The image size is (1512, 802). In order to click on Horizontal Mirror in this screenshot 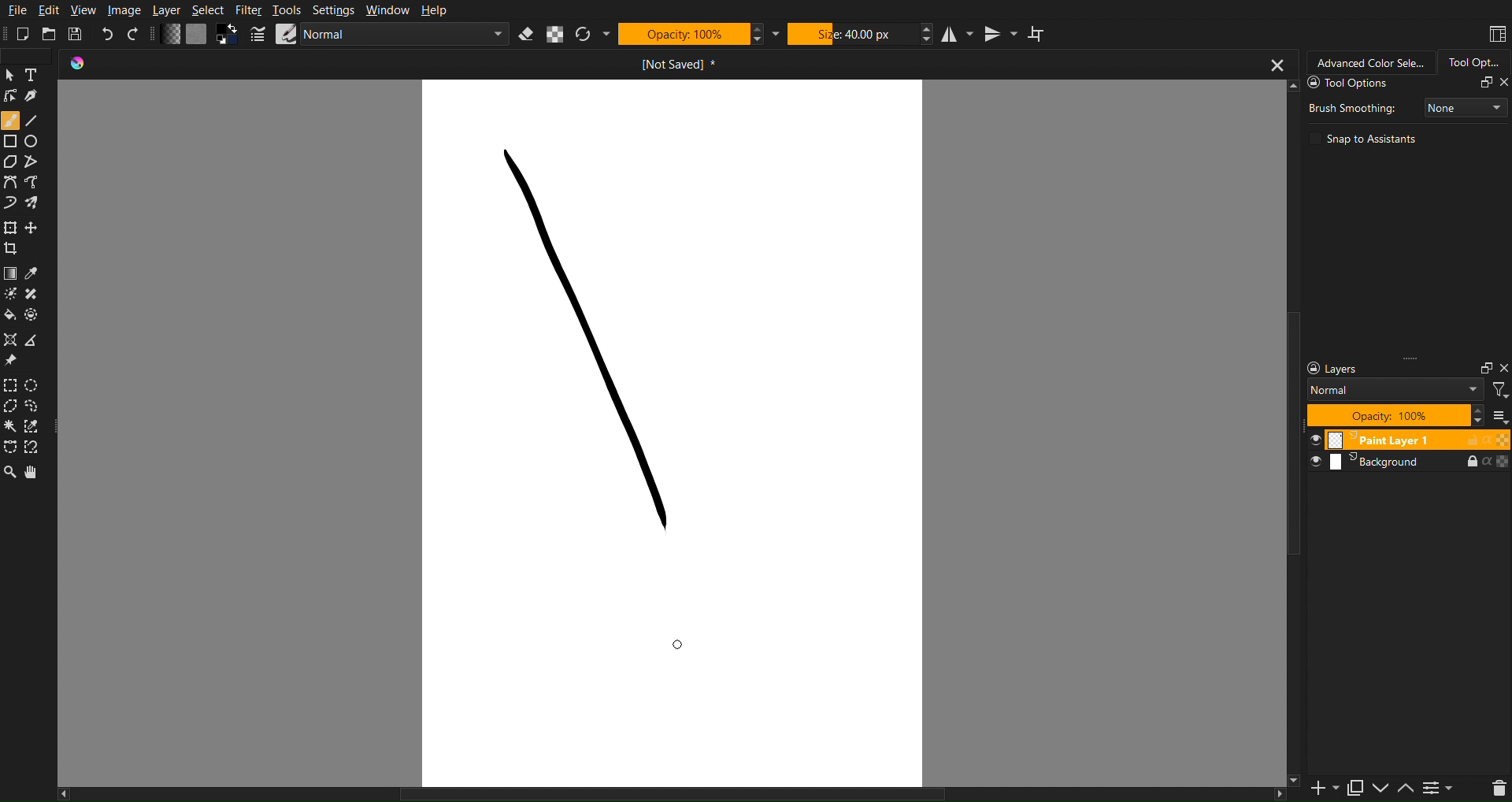, I will do `click(959, 34)`.